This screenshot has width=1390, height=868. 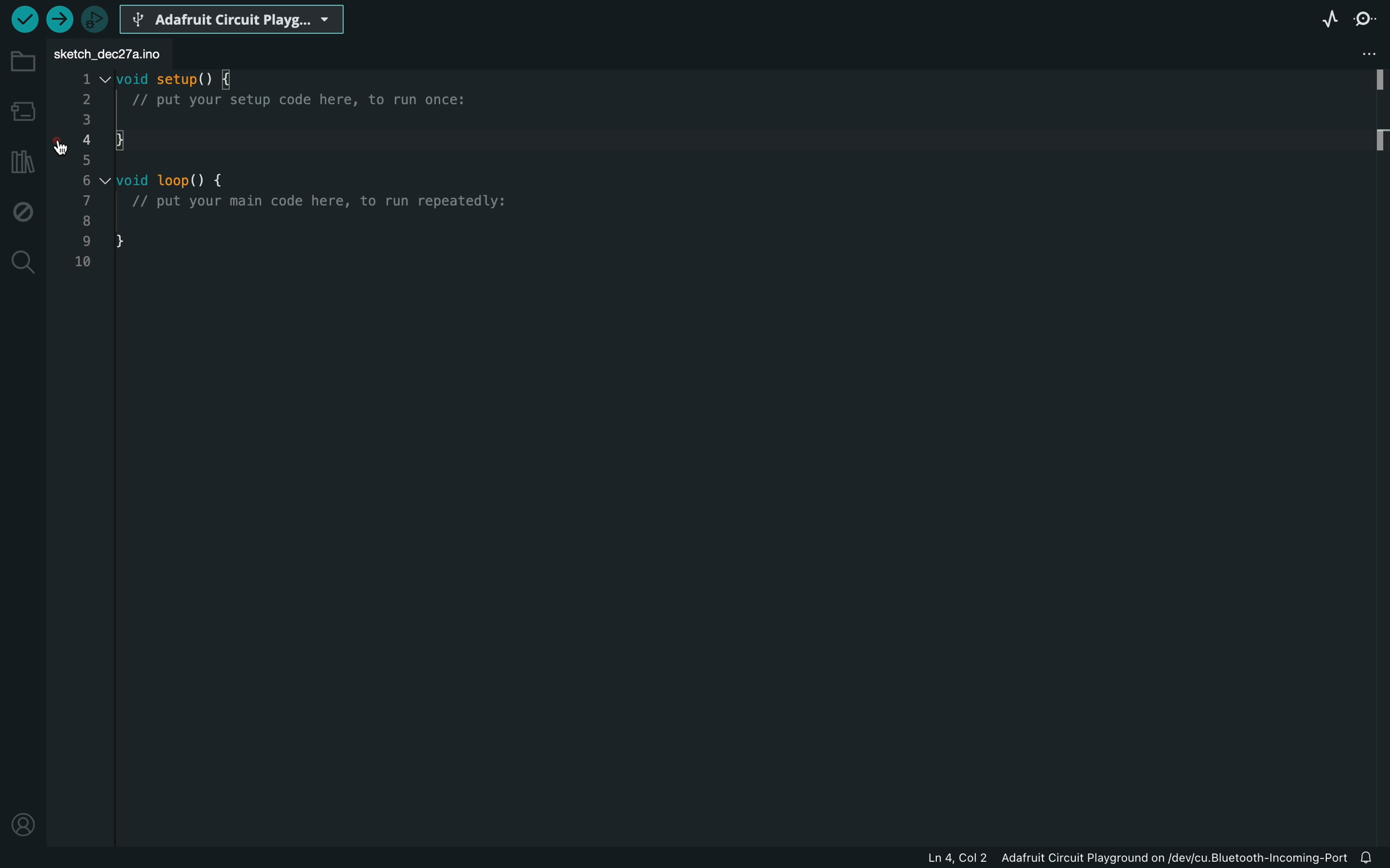 I want to click on serial monitor, so click(x=1368, y=22).